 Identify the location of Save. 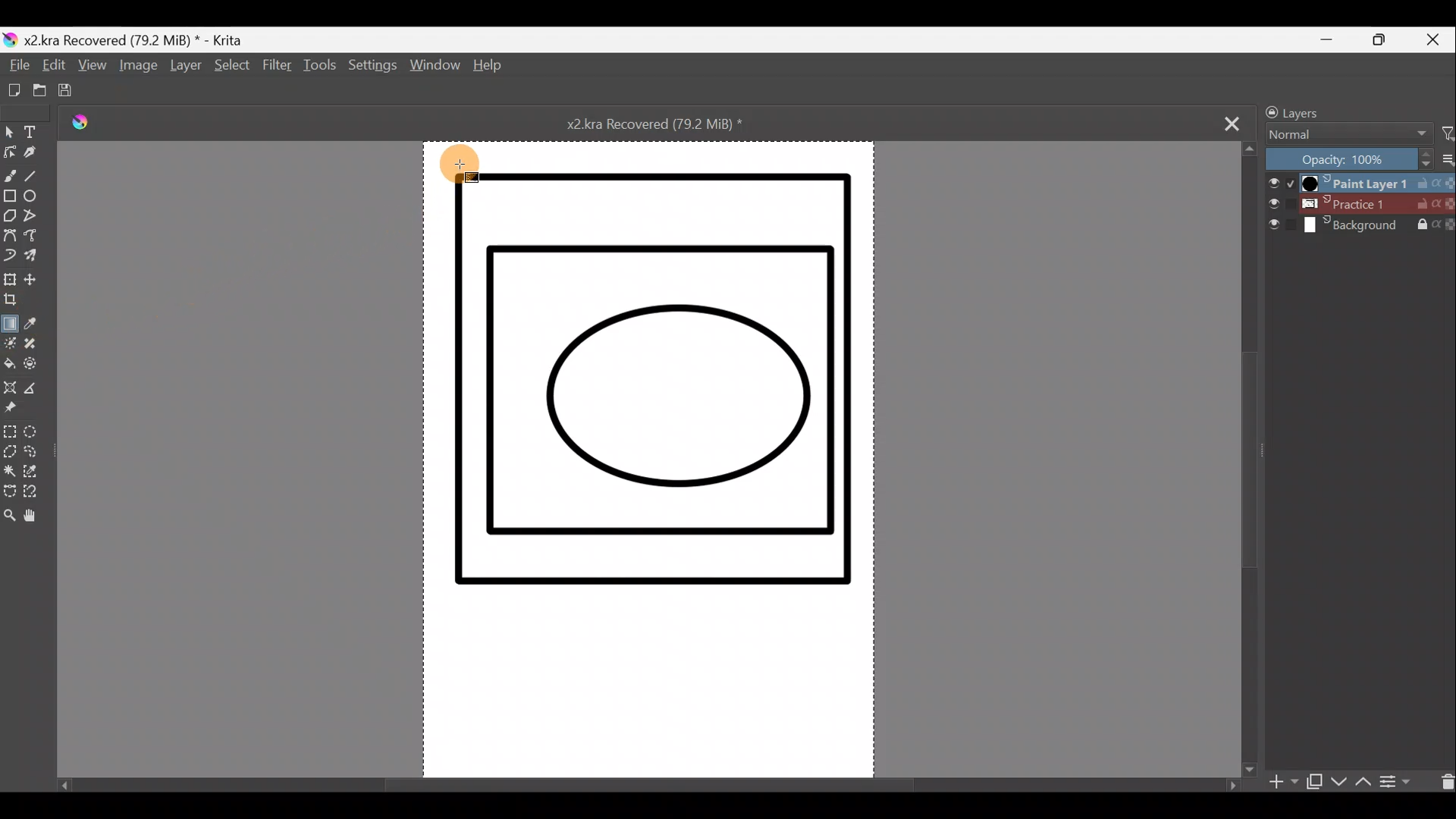
(72, 92).